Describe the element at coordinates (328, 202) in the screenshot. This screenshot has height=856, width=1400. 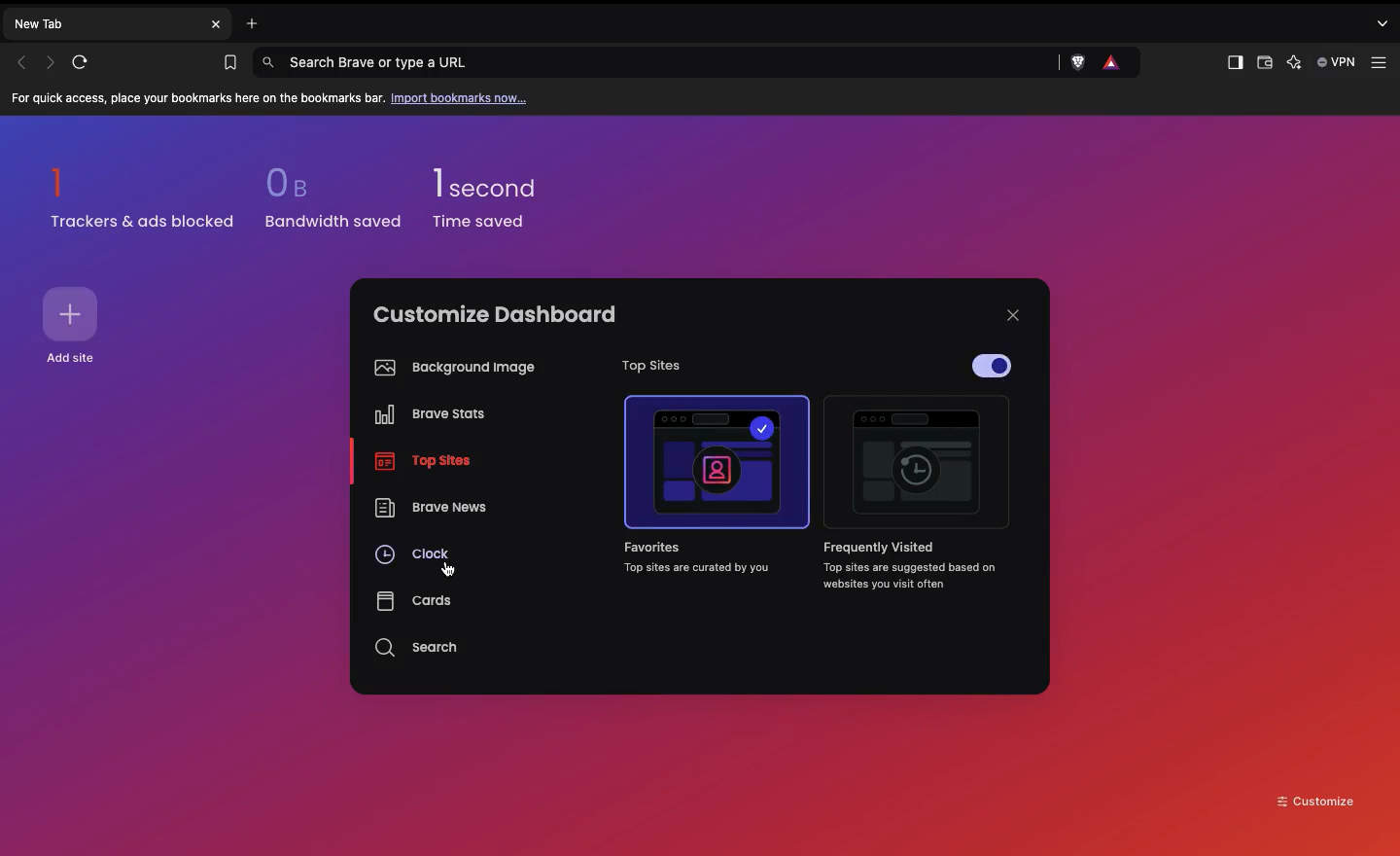
I see `0b bandwidth saved` at that location.